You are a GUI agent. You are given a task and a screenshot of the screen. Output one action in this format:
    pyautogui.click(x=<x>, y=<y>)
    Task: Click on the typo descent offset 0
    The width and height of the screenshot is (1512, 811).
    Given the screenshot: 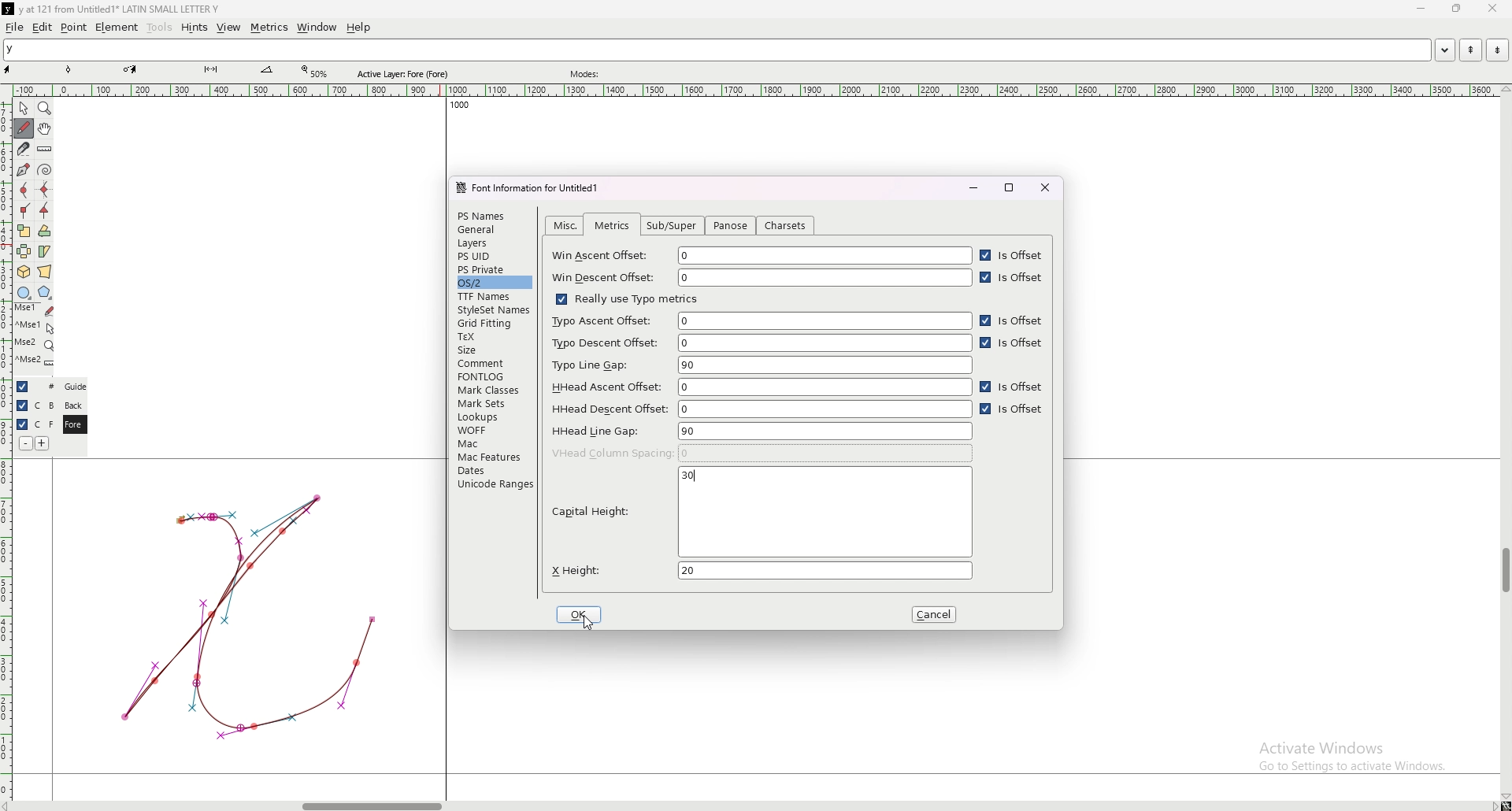 What is the action you would take?
    pyautogui.click(x=760, y=343)
    